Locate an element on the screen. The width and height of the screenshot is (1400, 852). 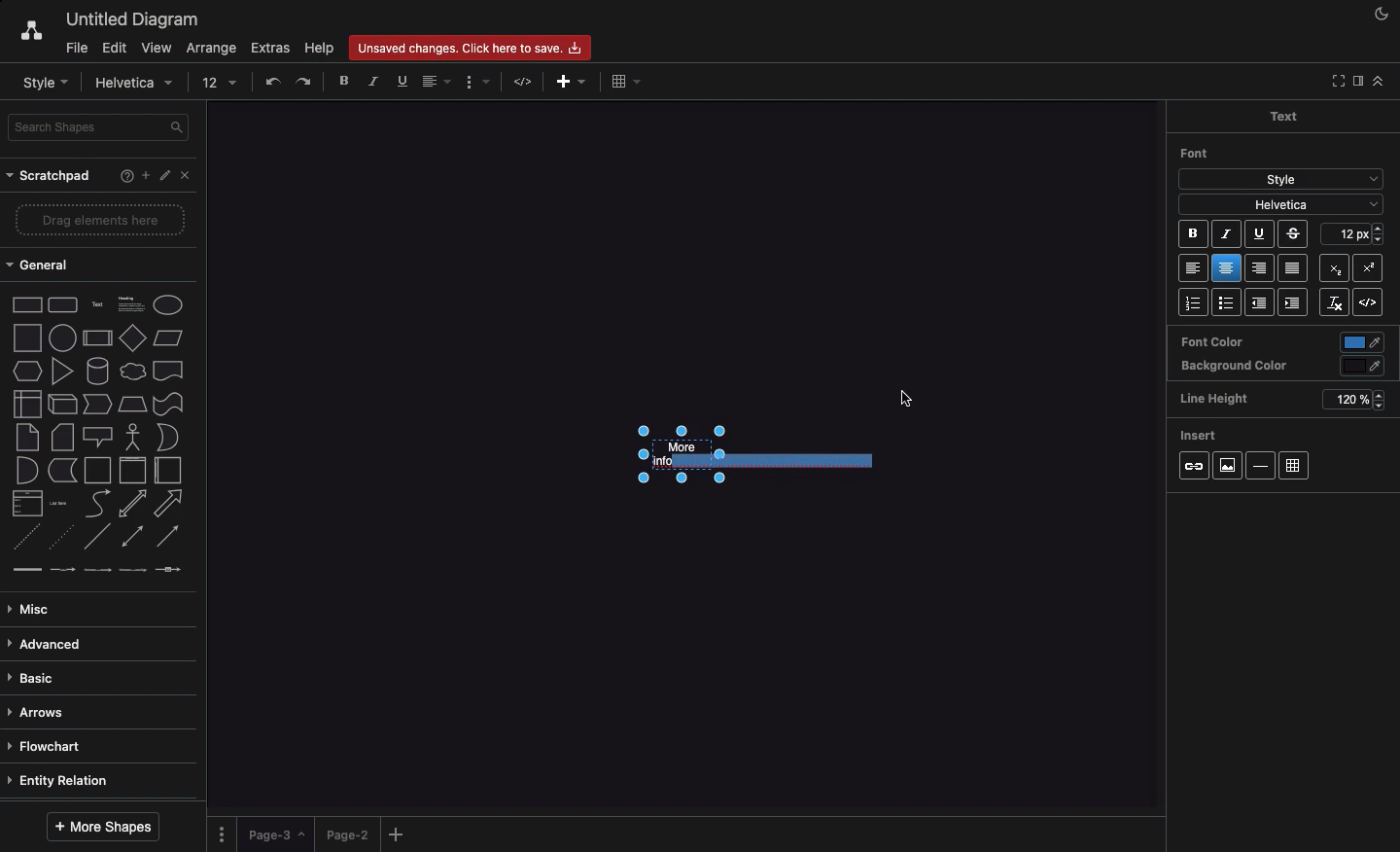
container is located at coordinates (97, 471).